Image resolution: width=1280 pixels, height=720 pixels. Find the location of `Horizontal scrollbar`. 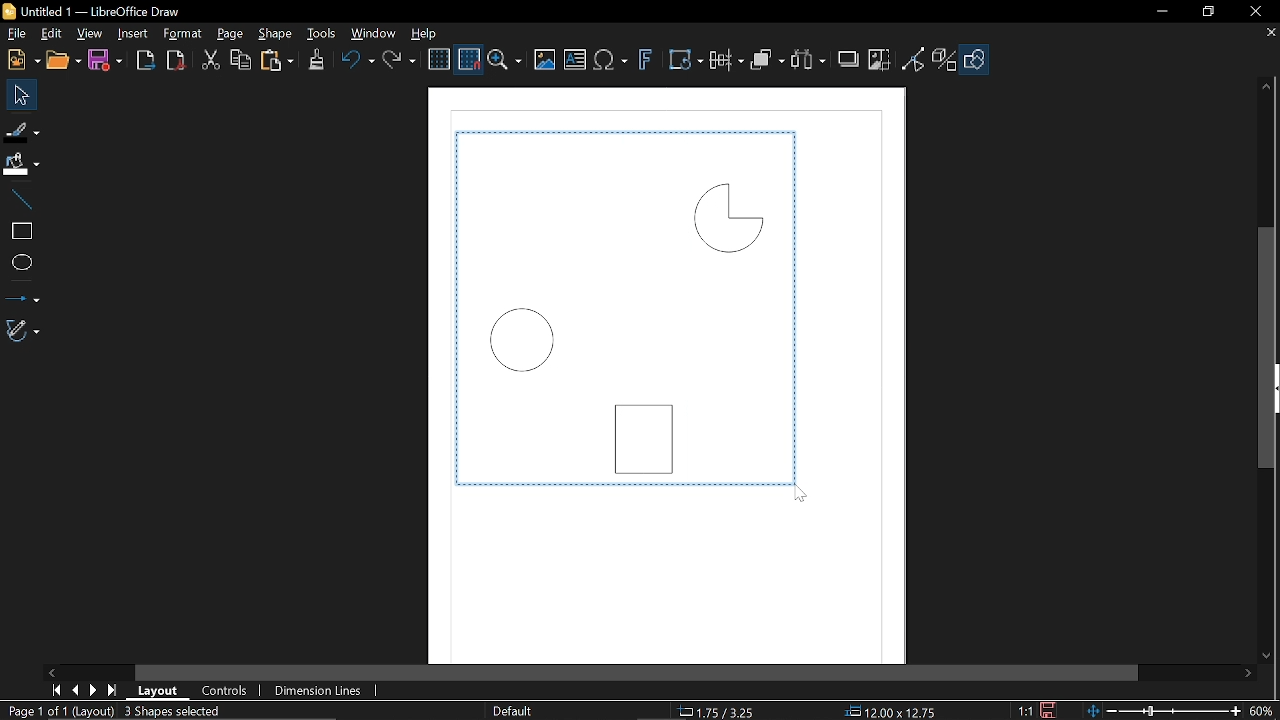

Horizontal scrollbar is located at coordinates (638, 670).